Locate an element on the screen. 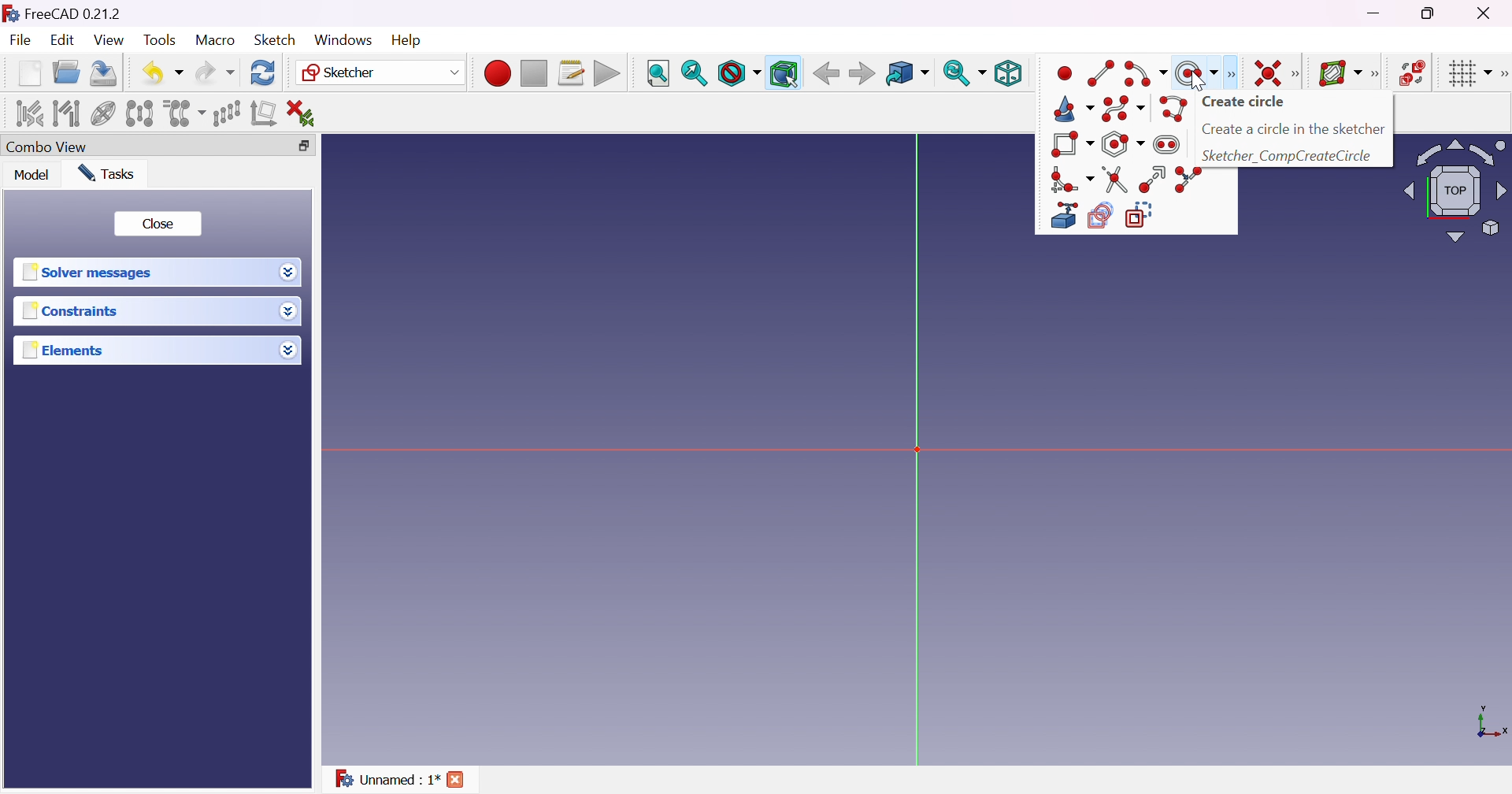  Back is located at coordinates (825, 73).